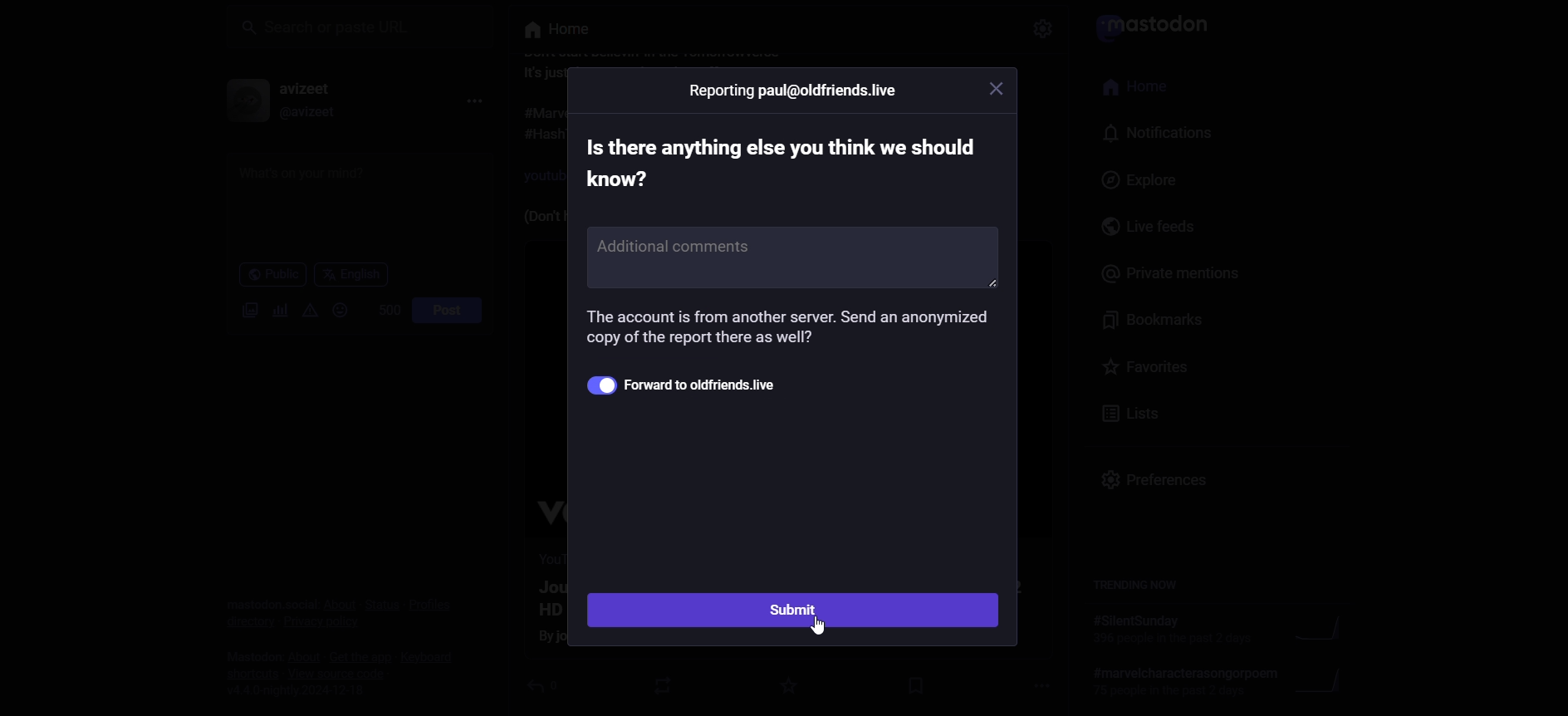  What do you see at coordinates (716, 390) in the screenshot?
I see `forward to addfriends.live` at bounding box center [716, 390].